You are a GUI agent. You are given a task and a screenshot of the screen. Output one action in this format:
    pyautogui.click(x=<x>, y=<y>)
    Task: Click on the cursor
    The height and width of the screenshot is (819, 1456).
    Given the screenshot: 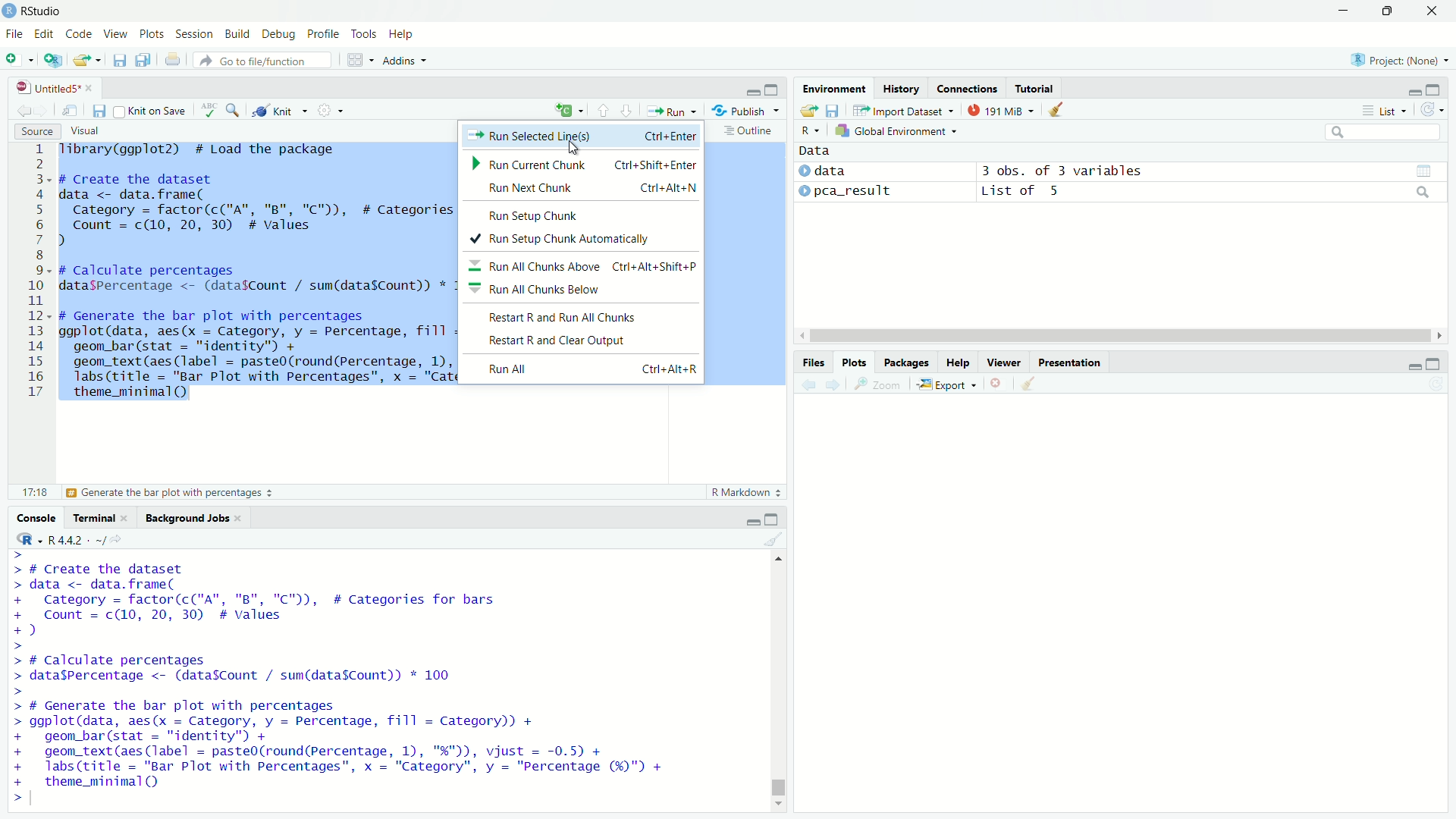 What is the action you would take?
    pyautogui.click(x=576, y=146)
    